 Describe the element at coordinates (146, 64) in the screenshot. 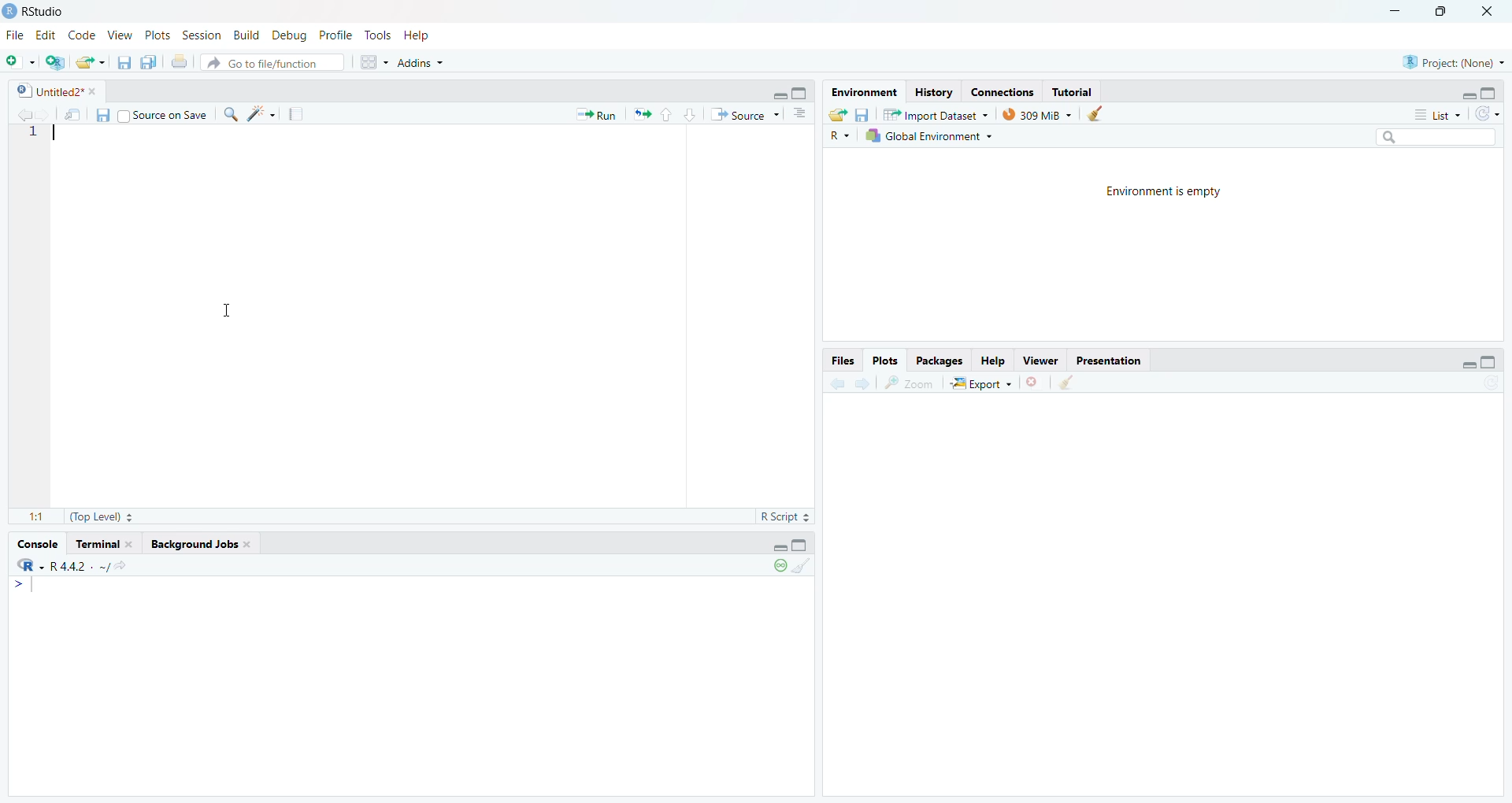

I see `copy` at that location.